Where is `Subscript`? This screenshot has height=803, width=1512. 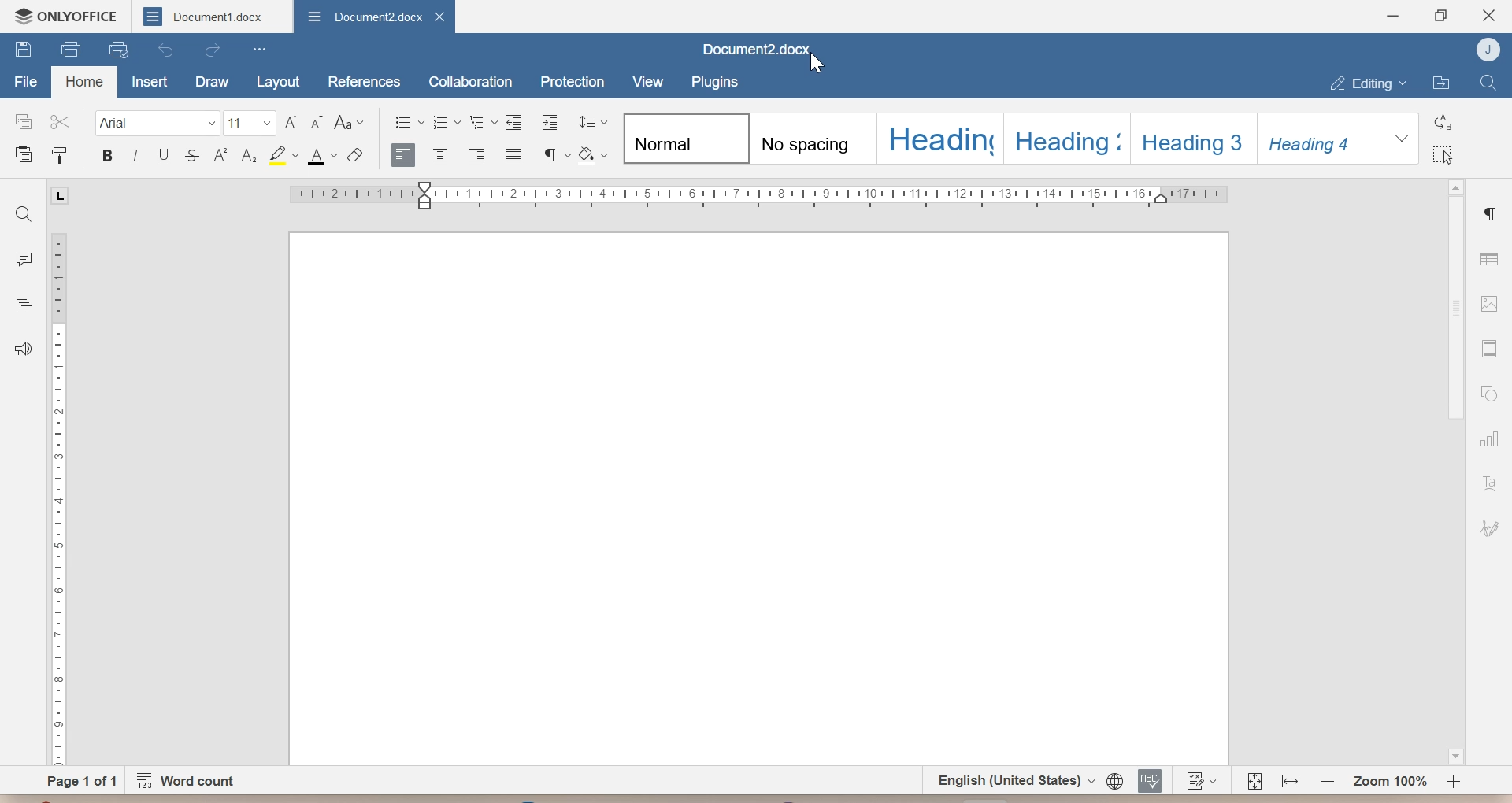
Subscript is located at coordinates (248, 155).